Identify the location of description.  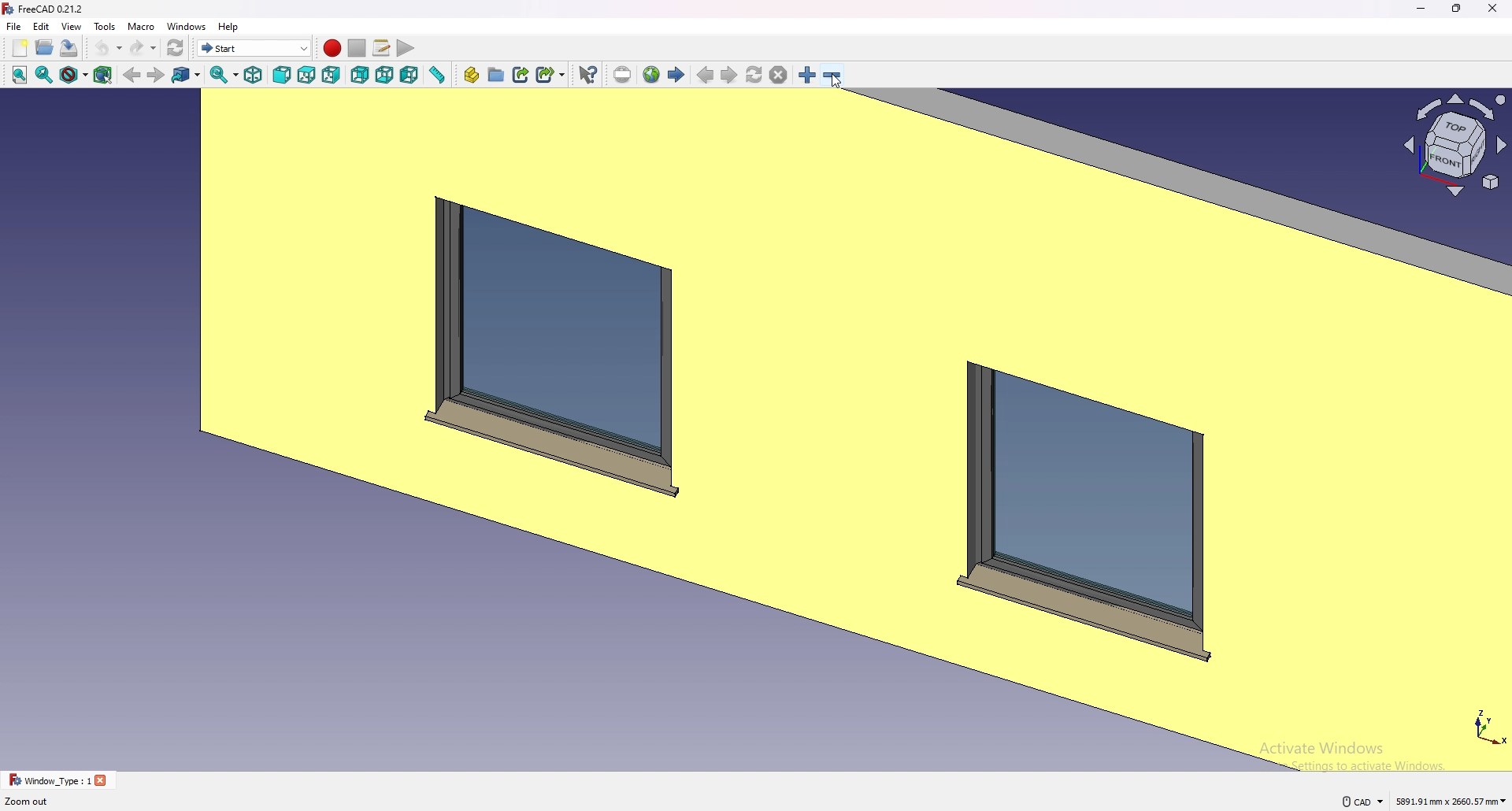
(28, 802).